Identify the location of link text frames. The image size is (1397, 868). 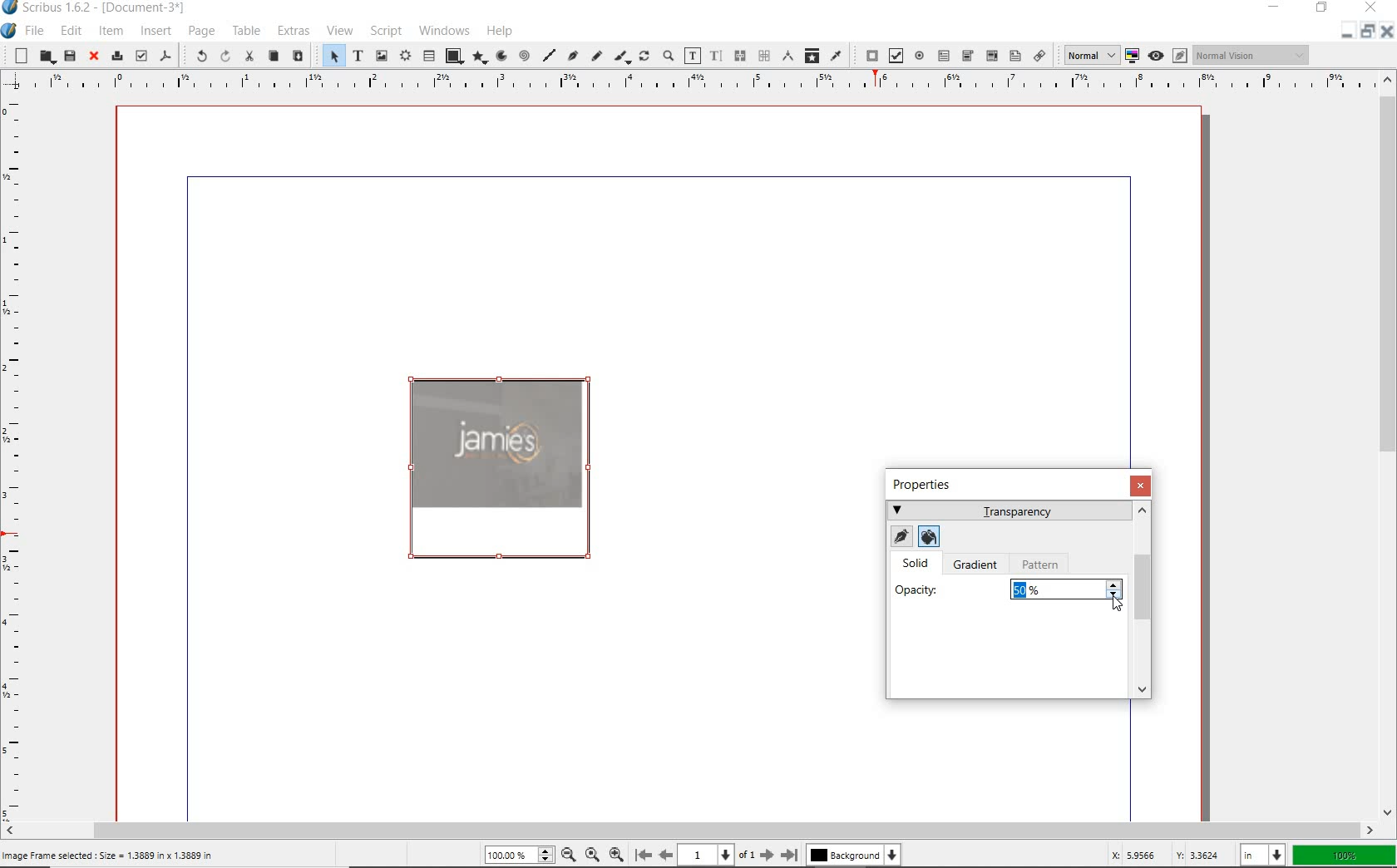
(738, 55).